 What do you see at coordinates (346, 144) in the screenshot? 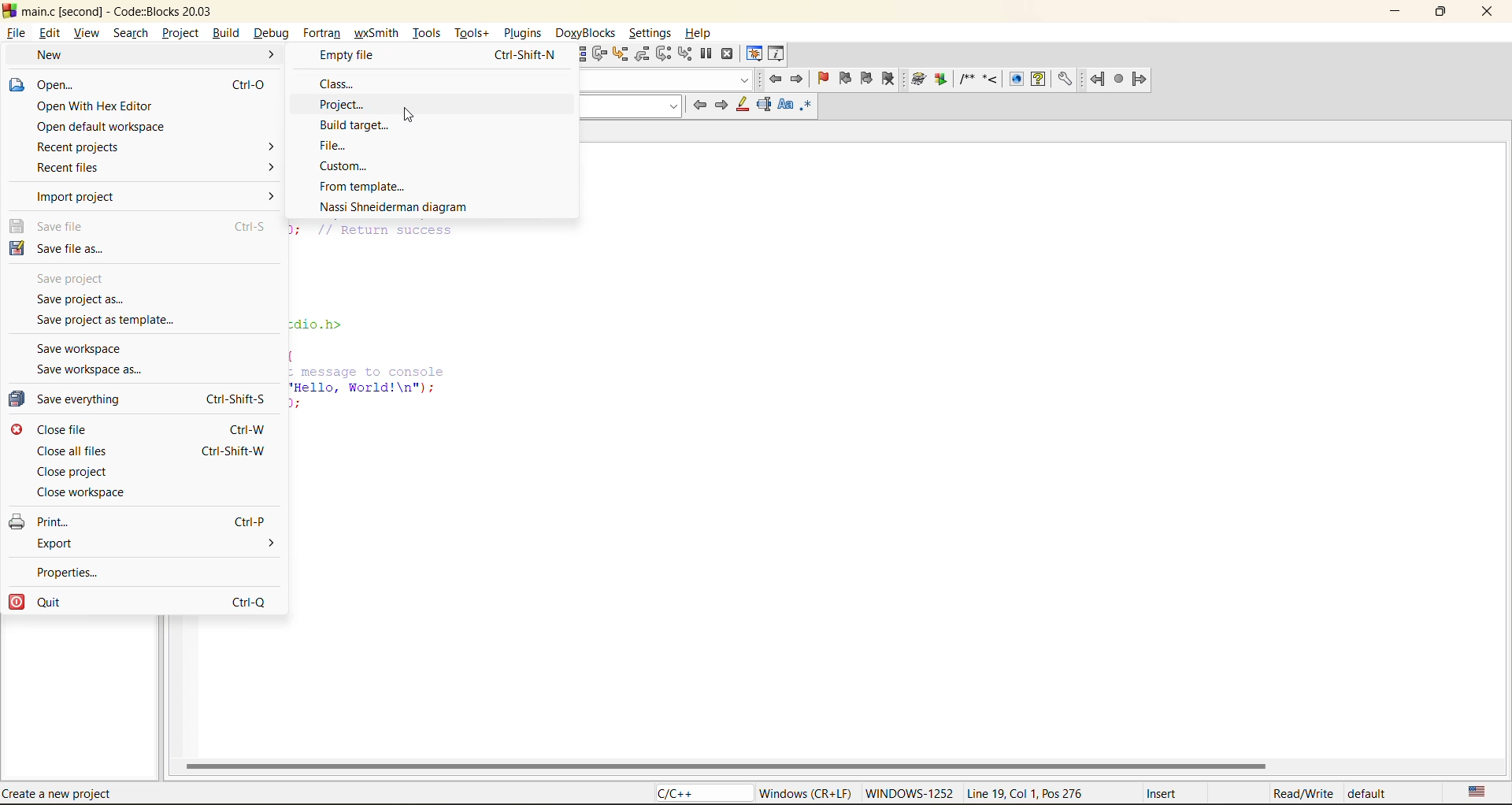
I see `file` at bounding box center [346, 144].